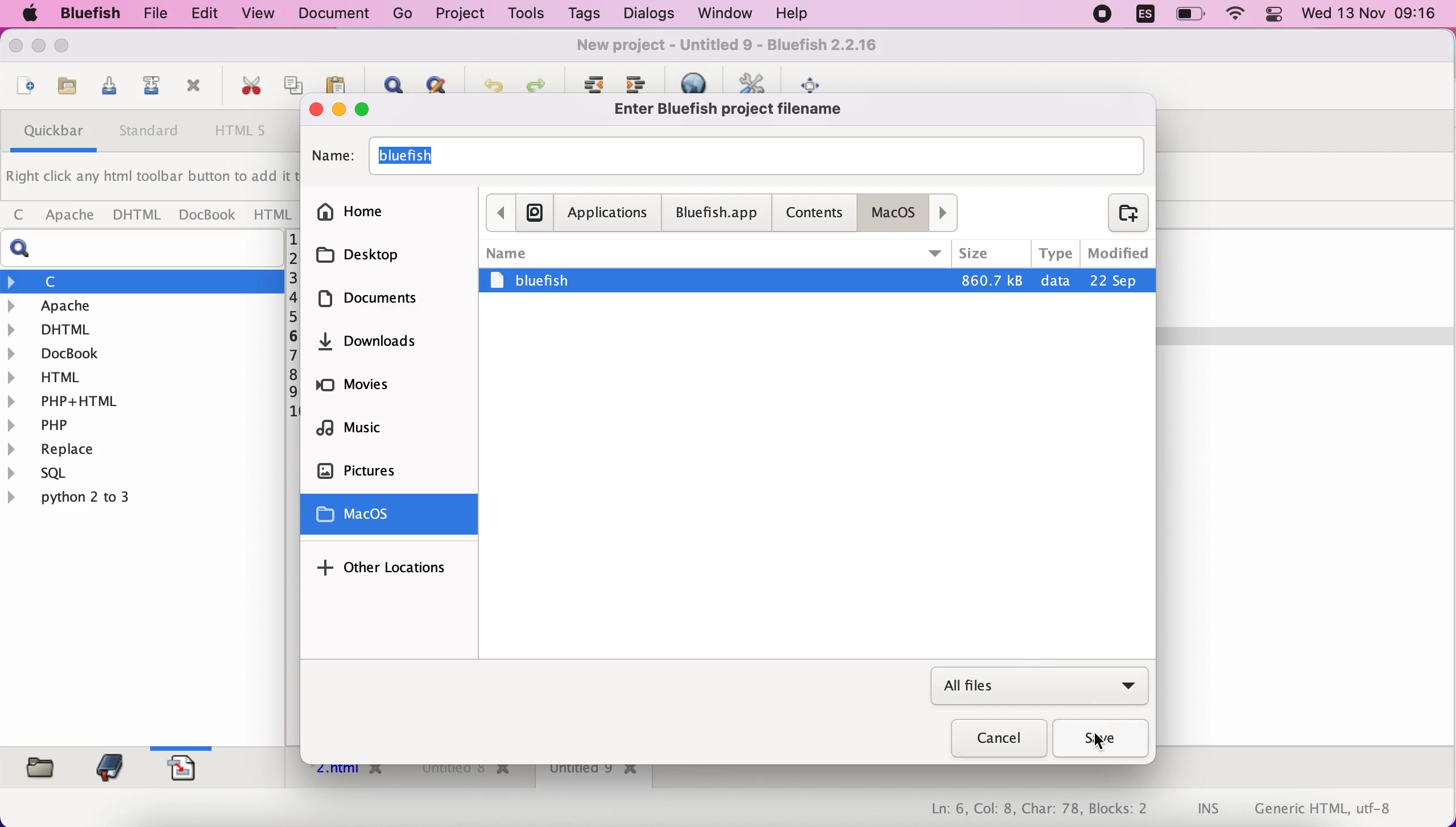 The height and width of the screenshot is (827, 1456). I want to click on downloads, so click(398, 347).